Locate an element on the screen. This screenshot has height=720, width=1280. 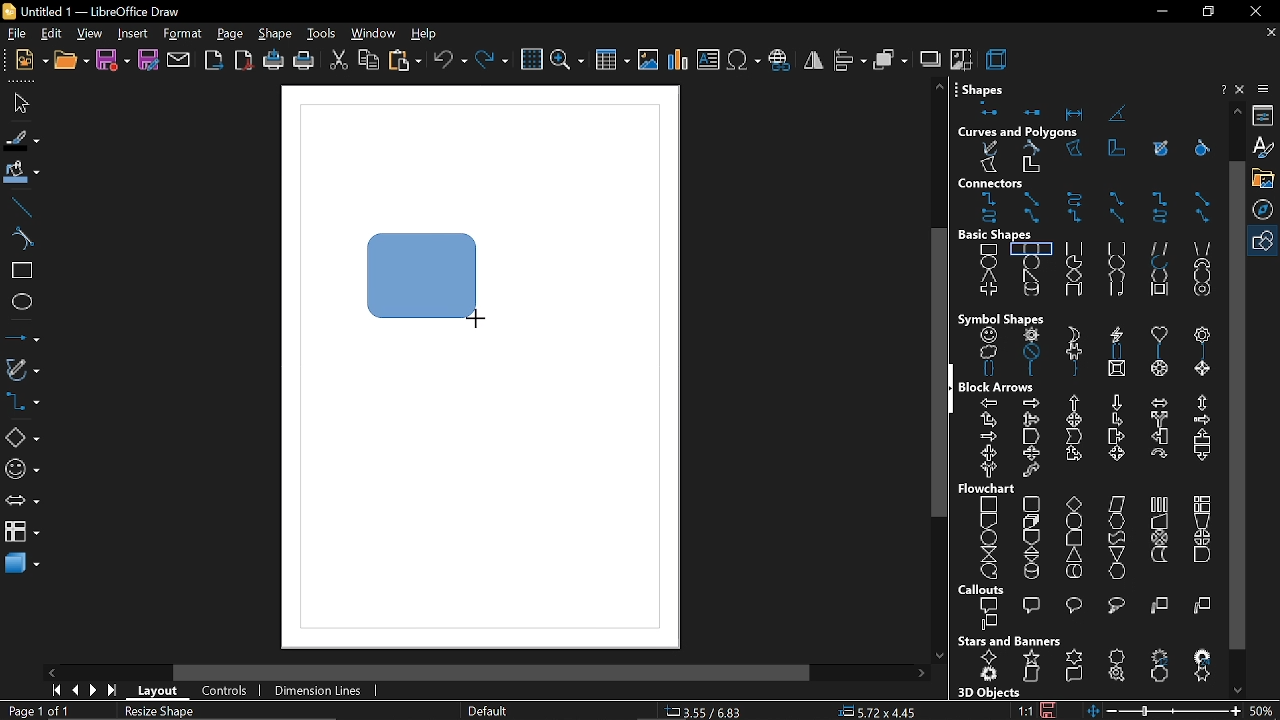
export is located at coordinates (215, 62).